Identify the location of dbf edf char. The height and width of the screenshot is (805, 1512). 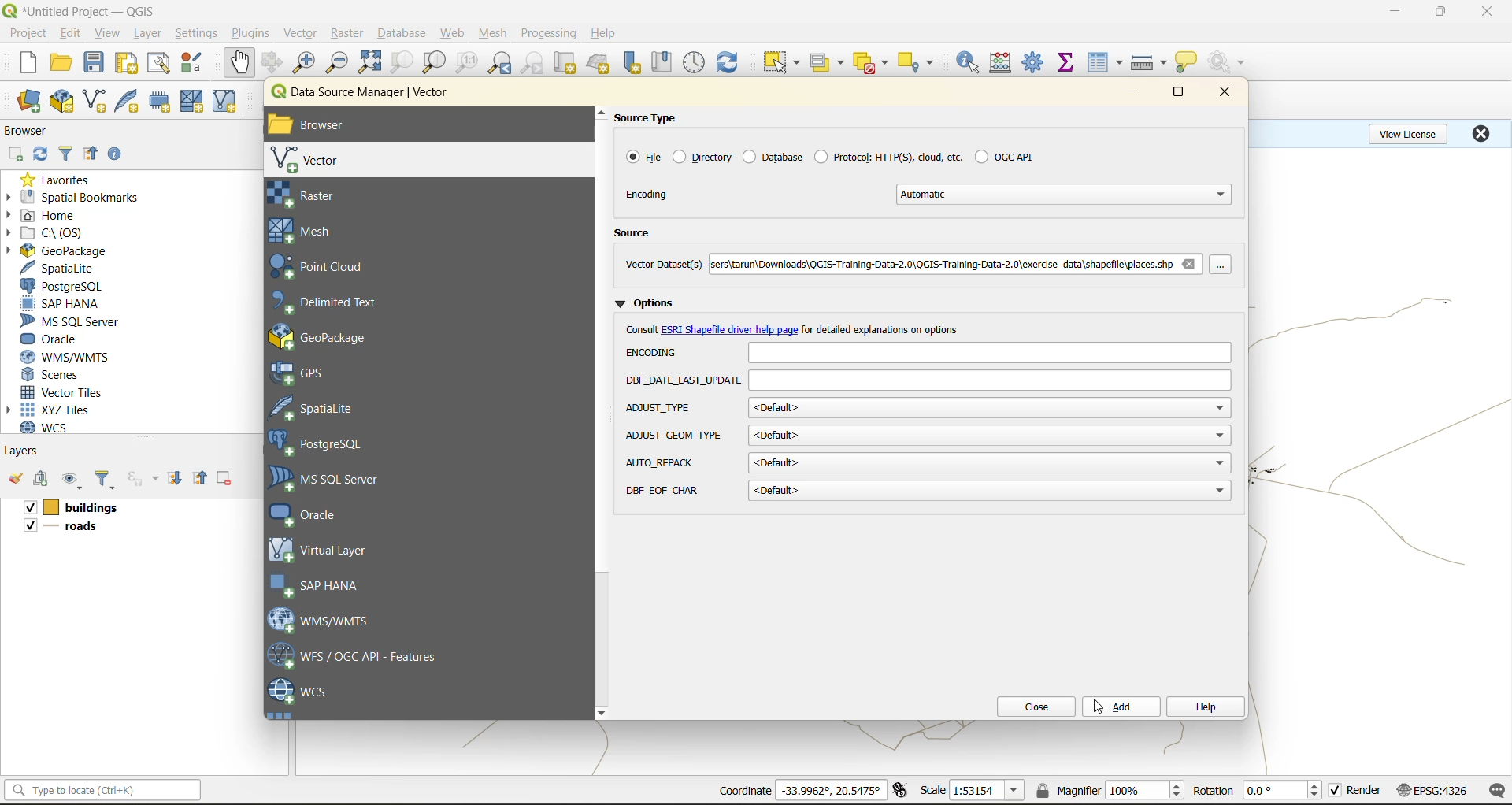
(665, 491).